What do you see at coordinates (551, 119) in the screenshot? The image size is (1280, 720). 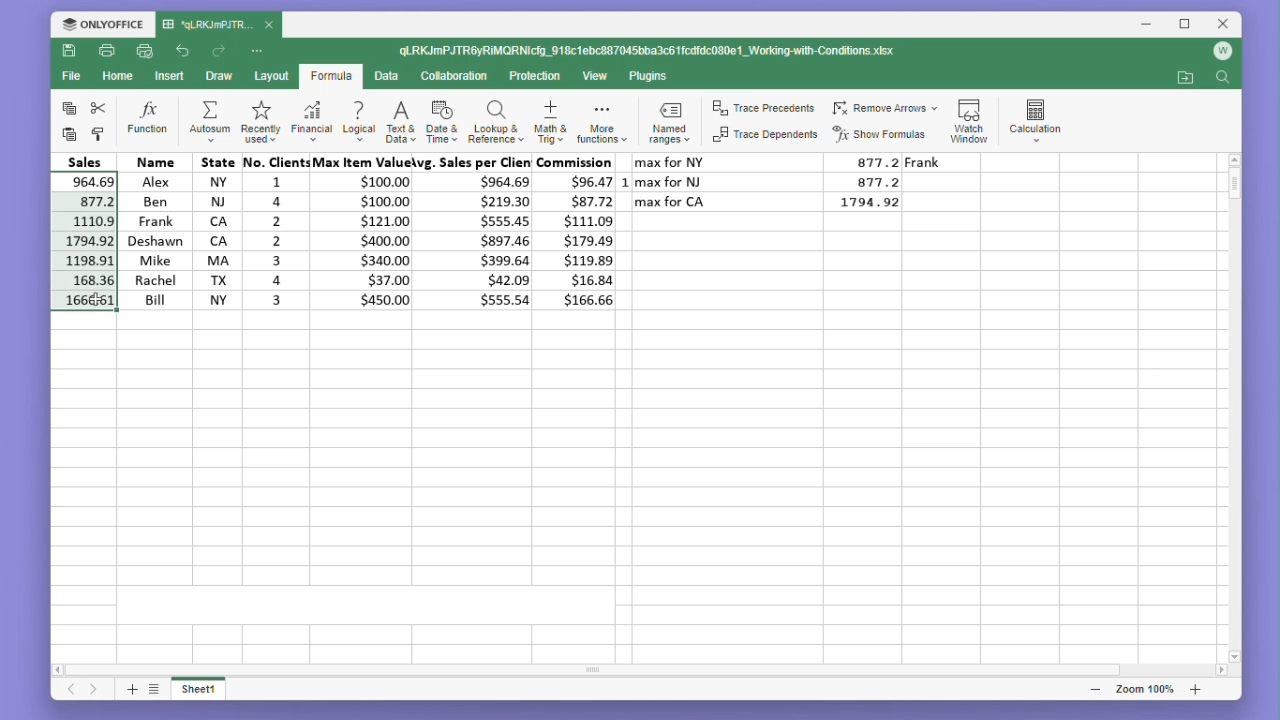 I see `Maths and trigonometry` at bounding box center [551, 119].